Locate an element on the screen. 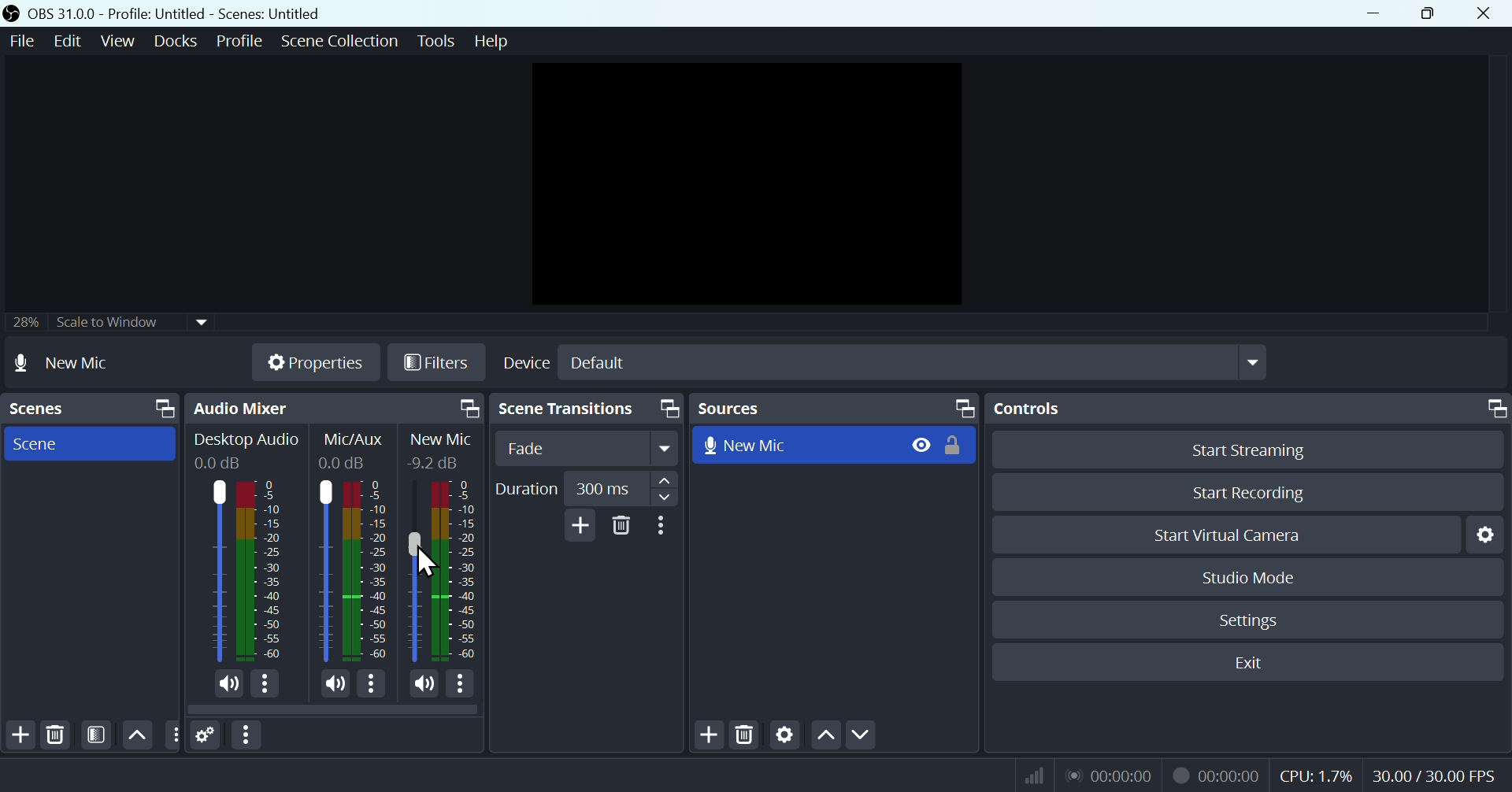 This screenshot has height=792, width=1512. help is located at coordinates (491, 41).